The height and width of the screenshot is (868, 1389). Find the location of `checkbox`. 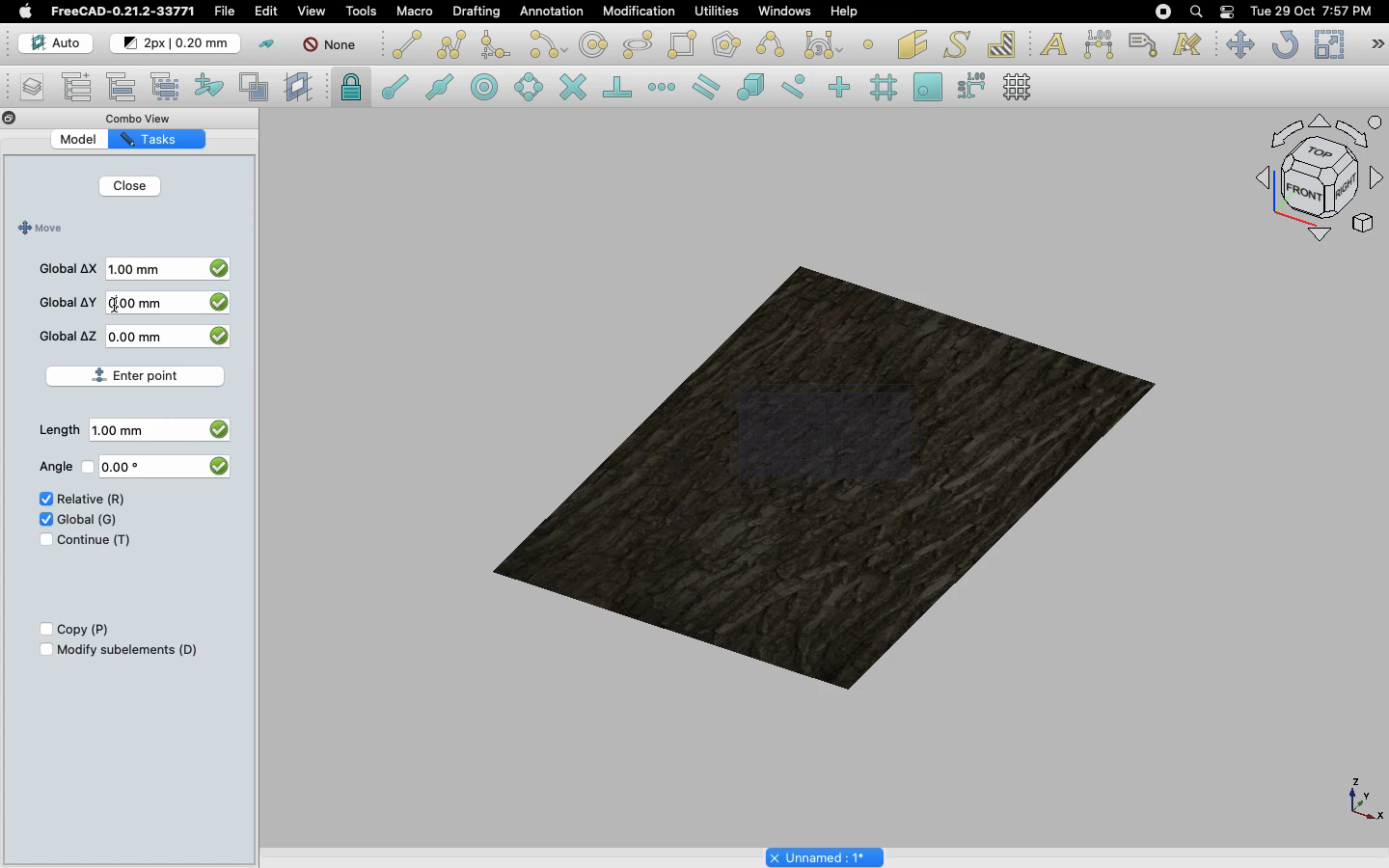

checkbox is located at coordinates (221, 266).